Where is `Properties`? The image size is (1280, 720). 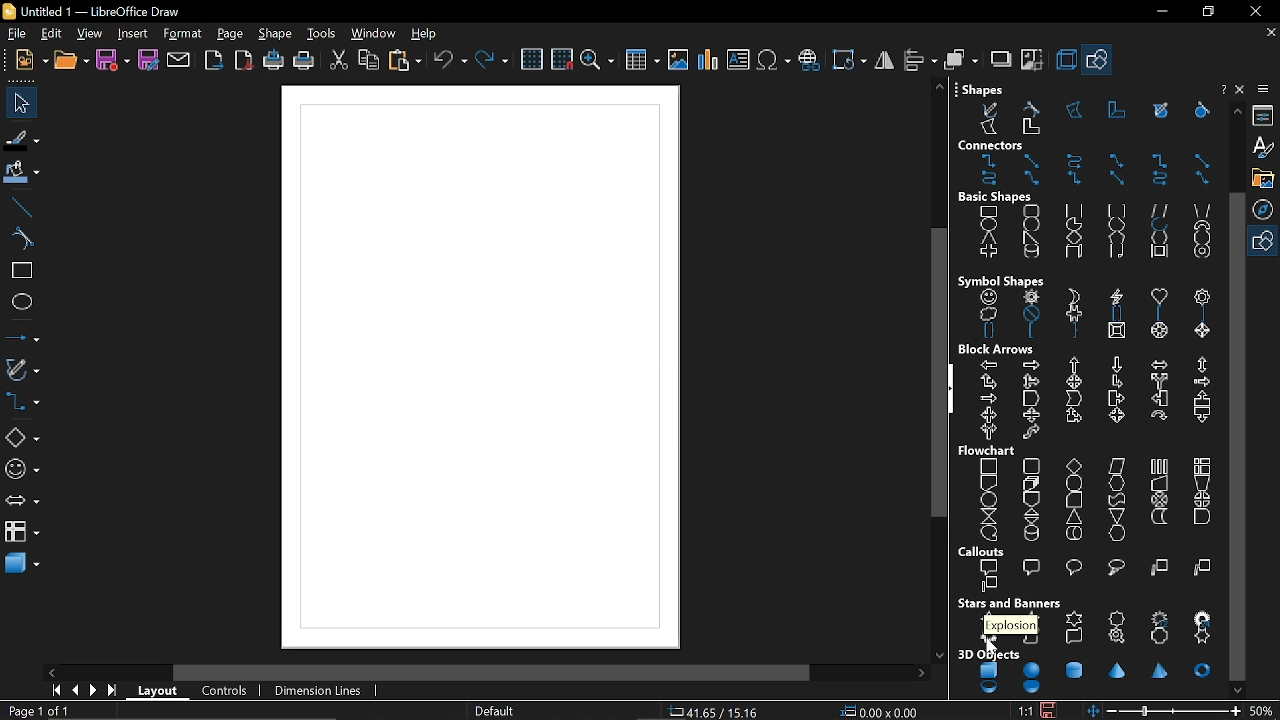
Properties is located at coordinates (1265, 114).